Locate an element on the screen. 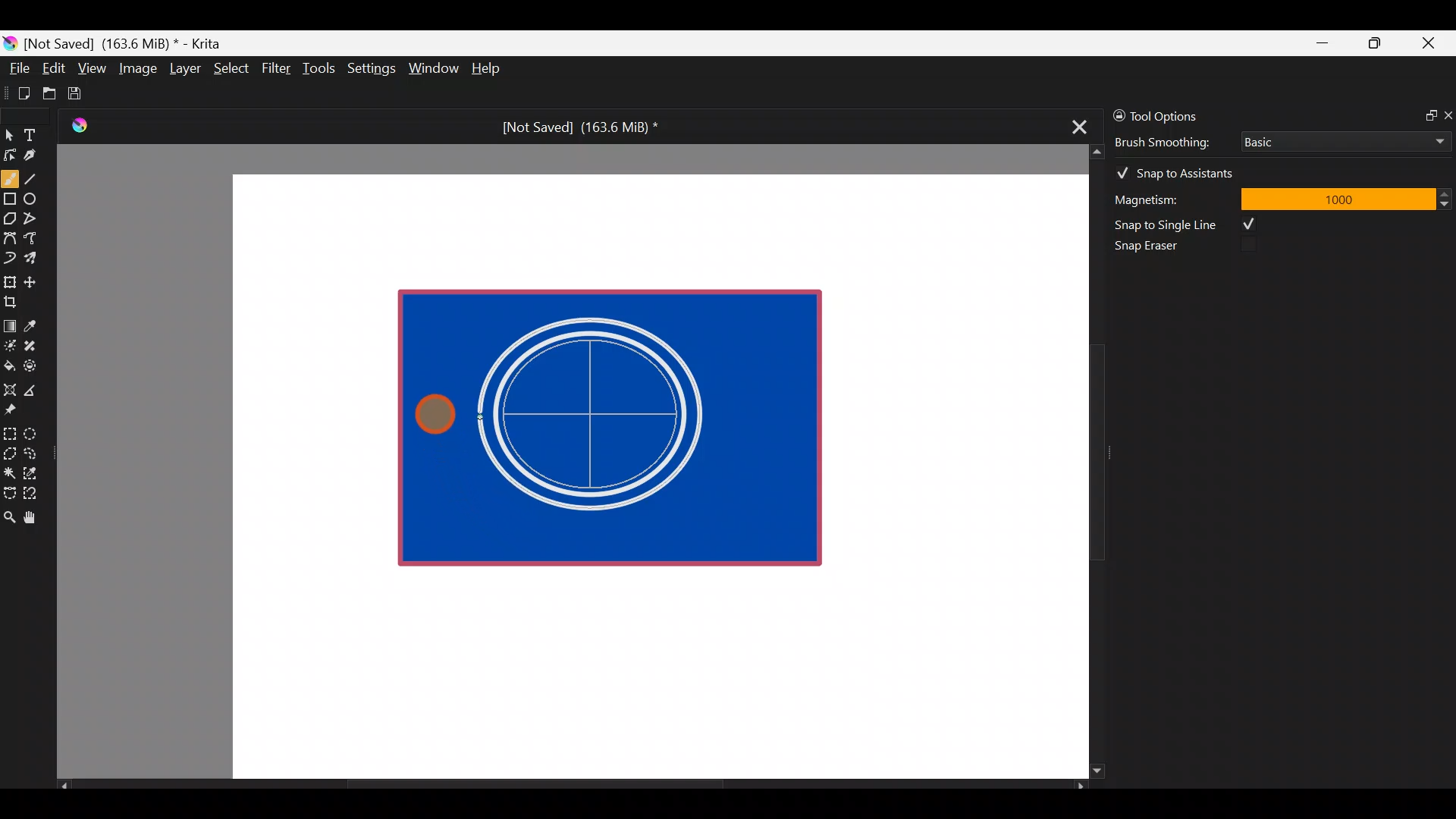  Multibrush tool is located at coordinates (36, 257).